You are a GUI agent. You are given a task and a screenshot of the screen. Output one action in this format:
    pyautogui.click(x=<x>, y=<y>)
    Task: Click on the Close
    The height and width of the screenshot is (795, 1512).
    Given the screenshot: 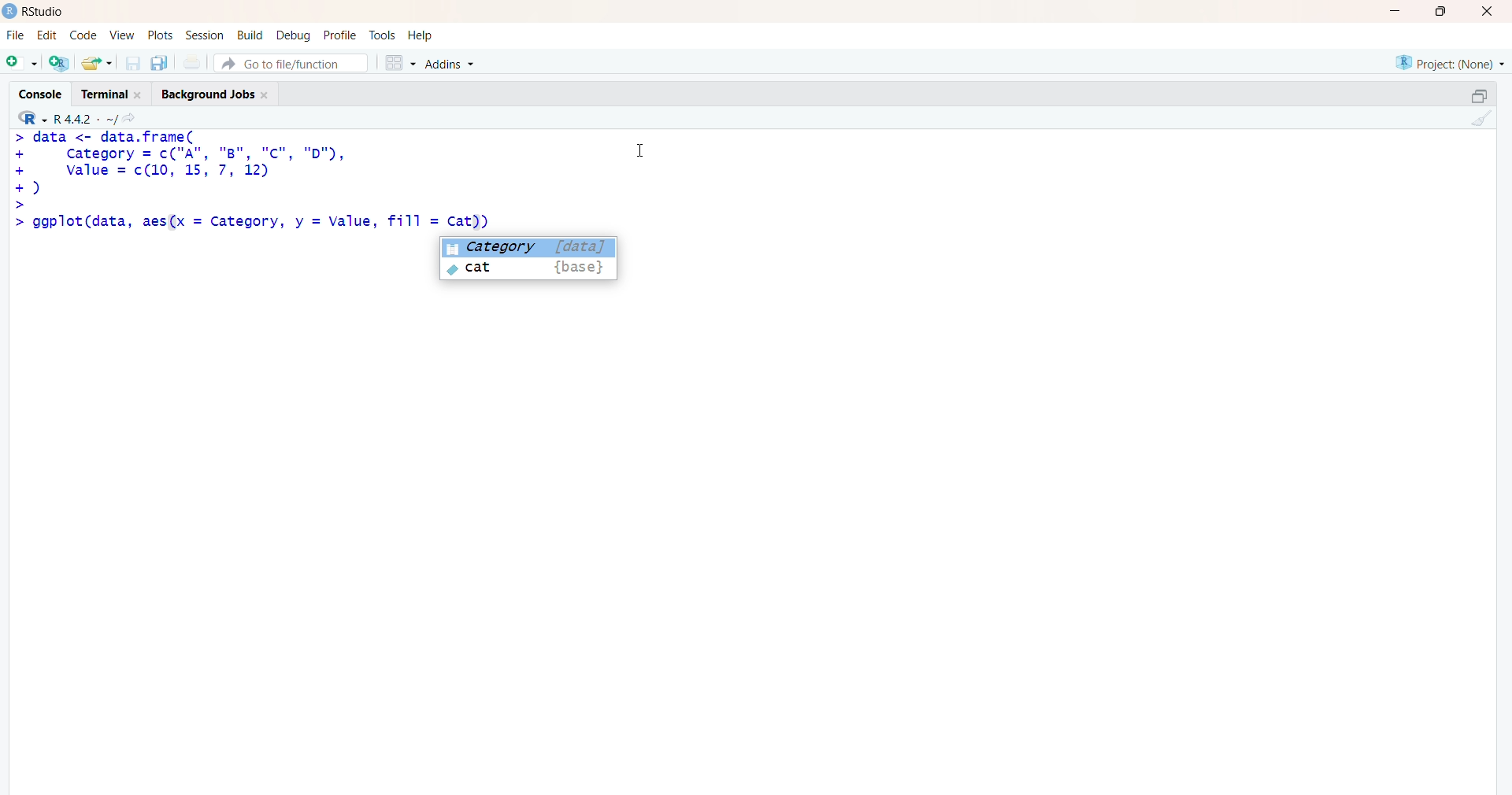 What is the action you would take?
    pyautogui.click(x=1484, y=11)
    